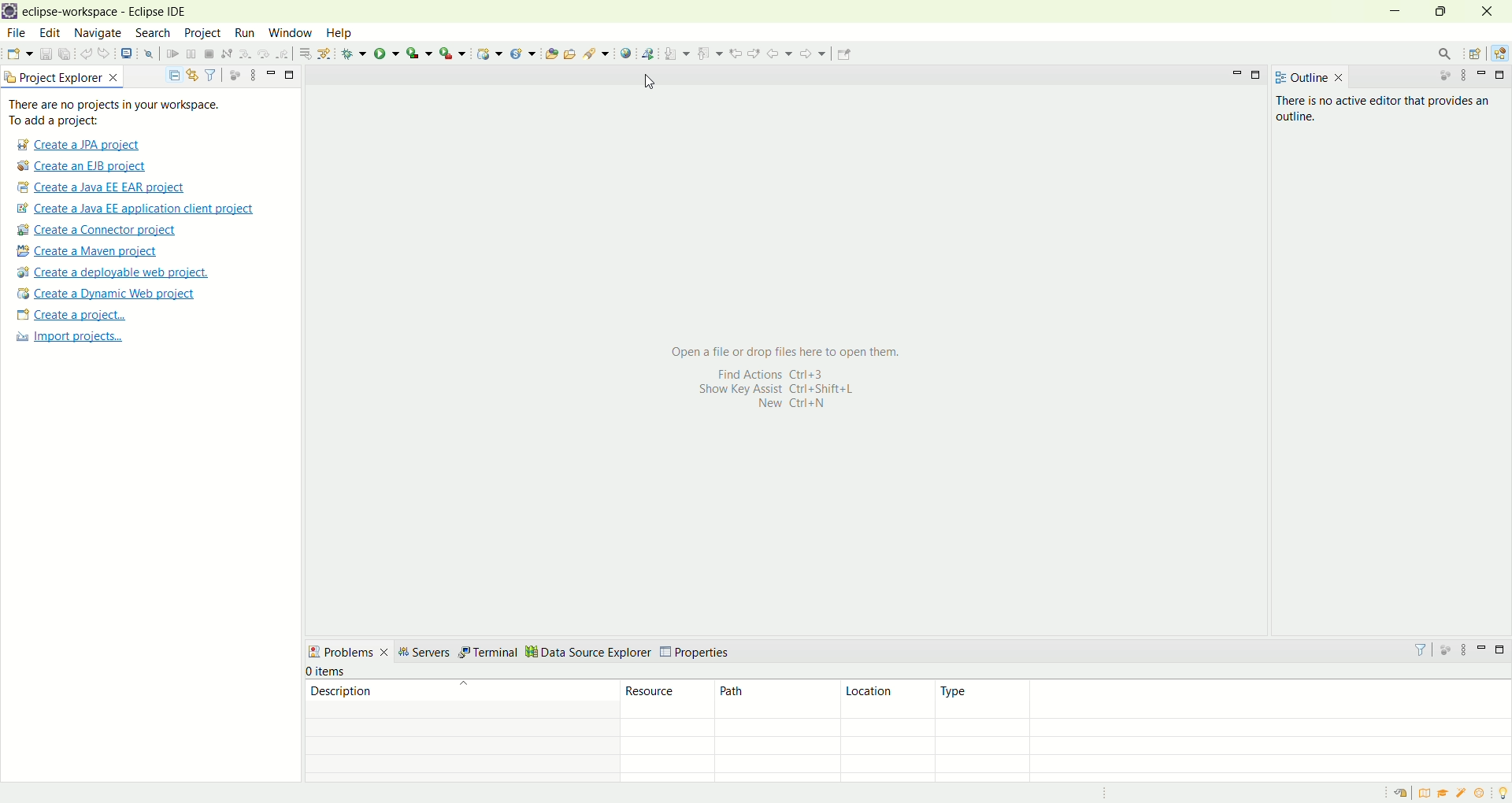  Describe the element at coordinates (1484, 75) in the screenshot. I see `minimize` at that location.